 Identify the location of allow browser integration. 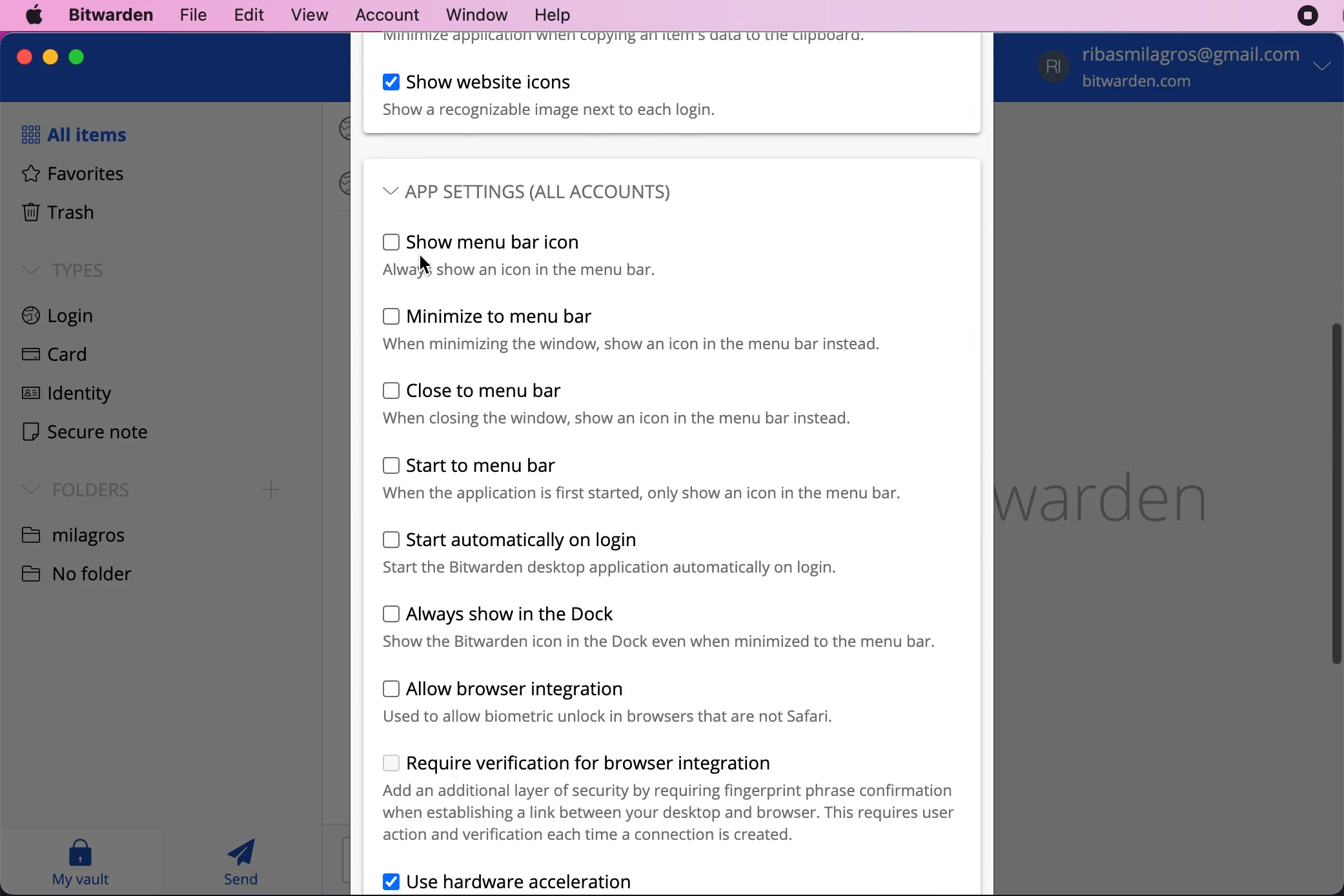
(644, 703).